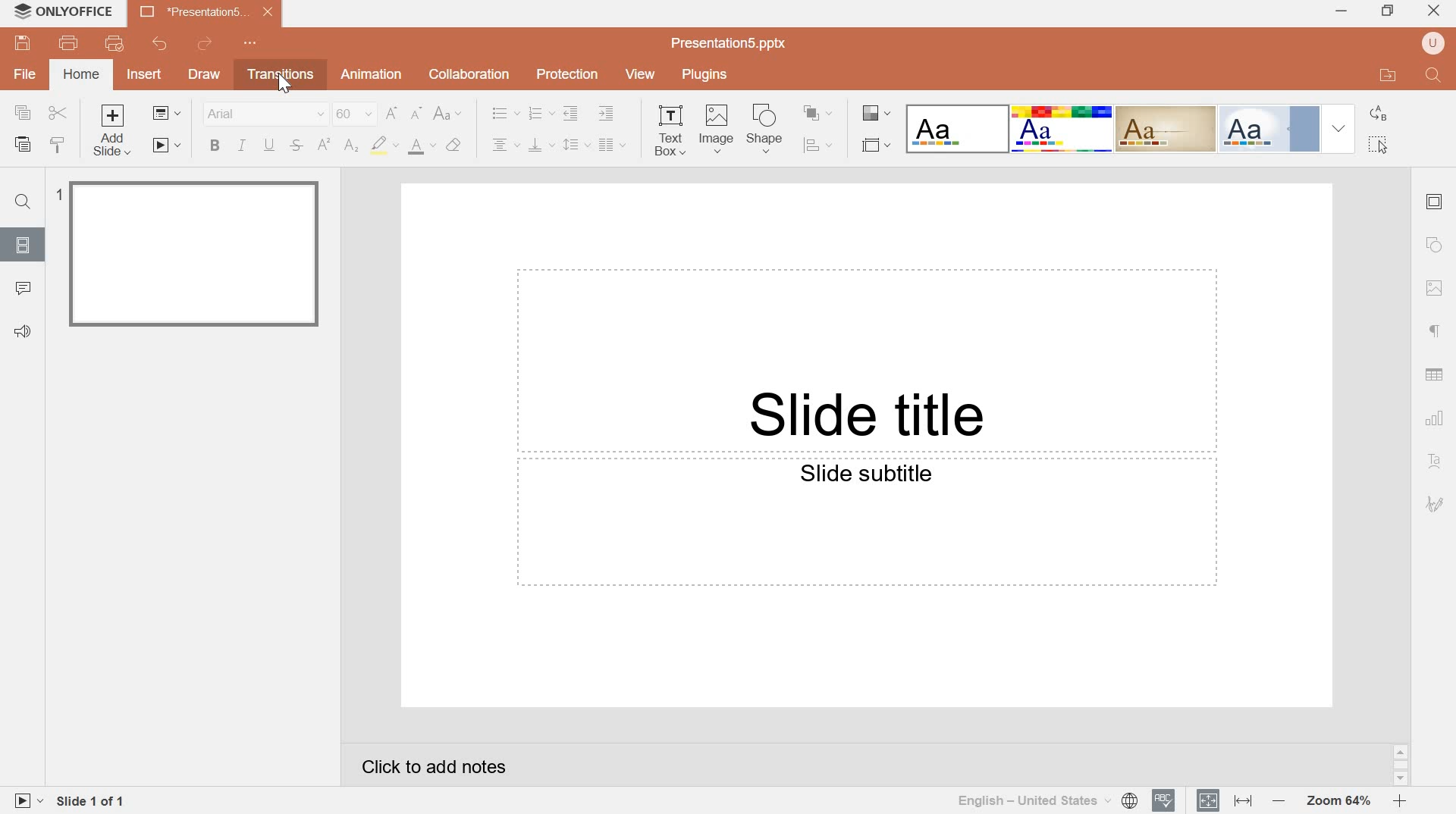 The width and height of the screenshot is (1456, 814). What do you see at coordinates (1390, 11) in the screenshot?
I see `Restore down` at bounding box center [1390, 11].